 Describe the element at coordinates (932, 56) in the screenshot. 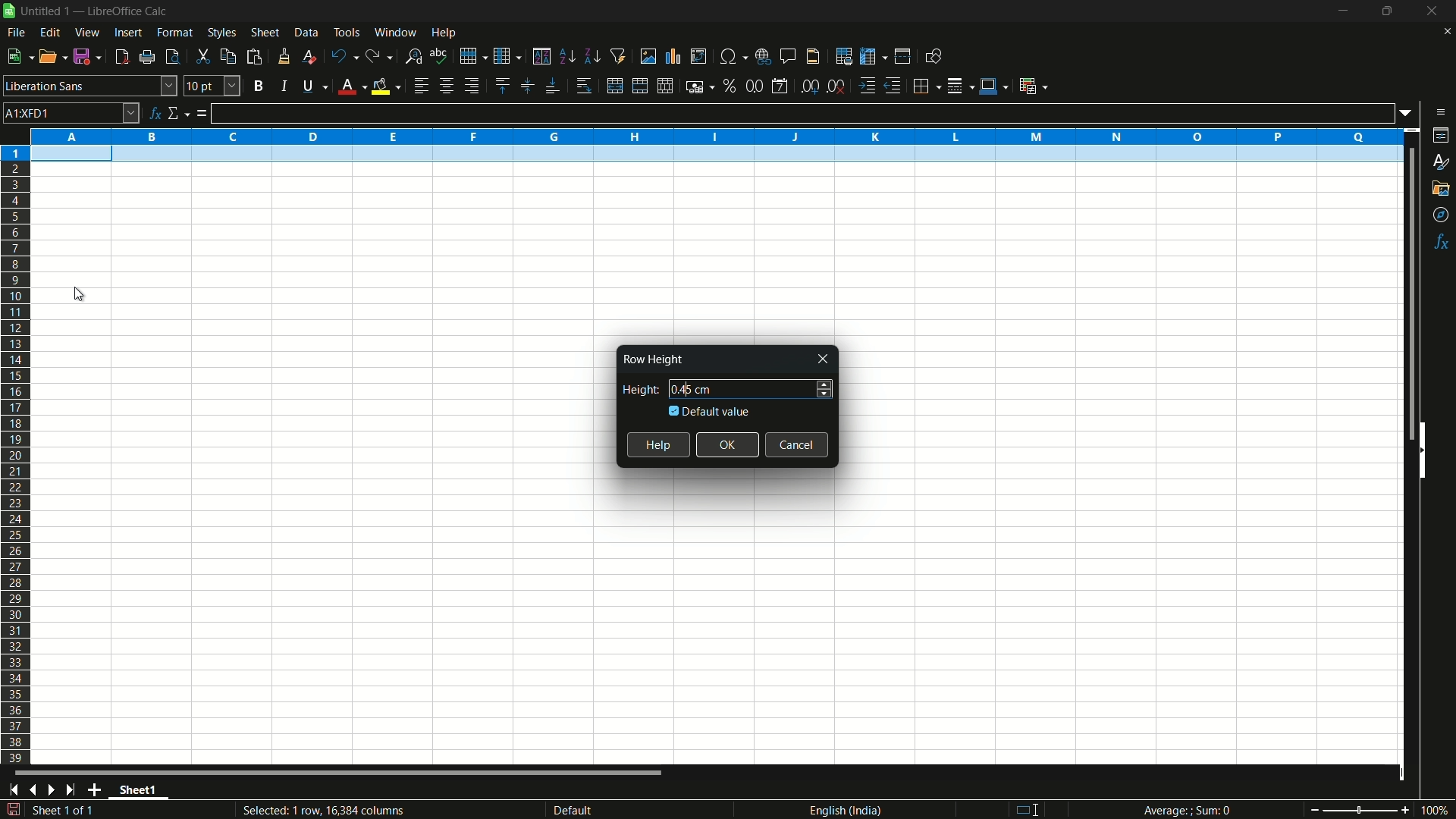

I see `show draw functions` at that location.